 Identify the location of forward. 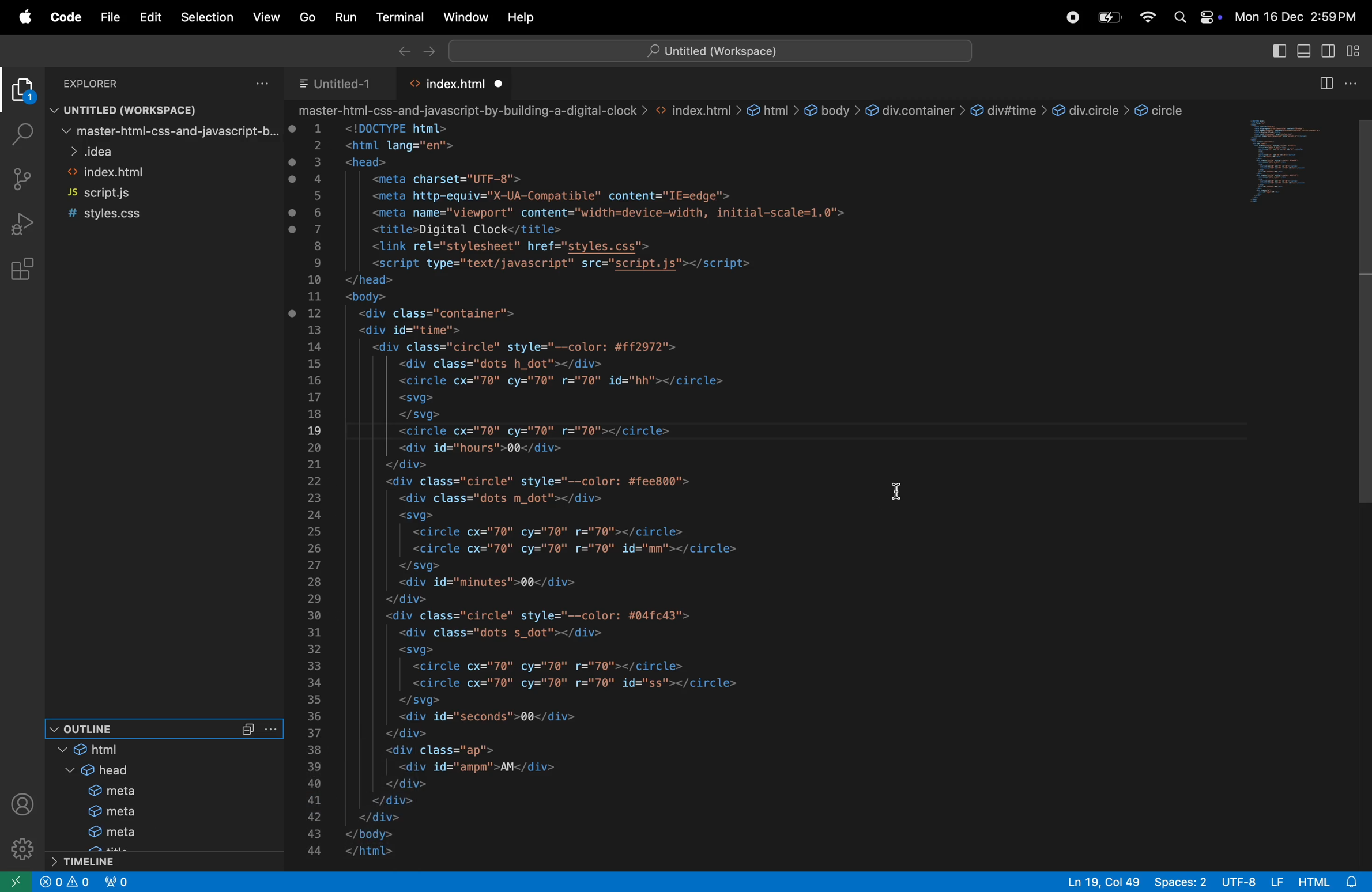
(427, 50).